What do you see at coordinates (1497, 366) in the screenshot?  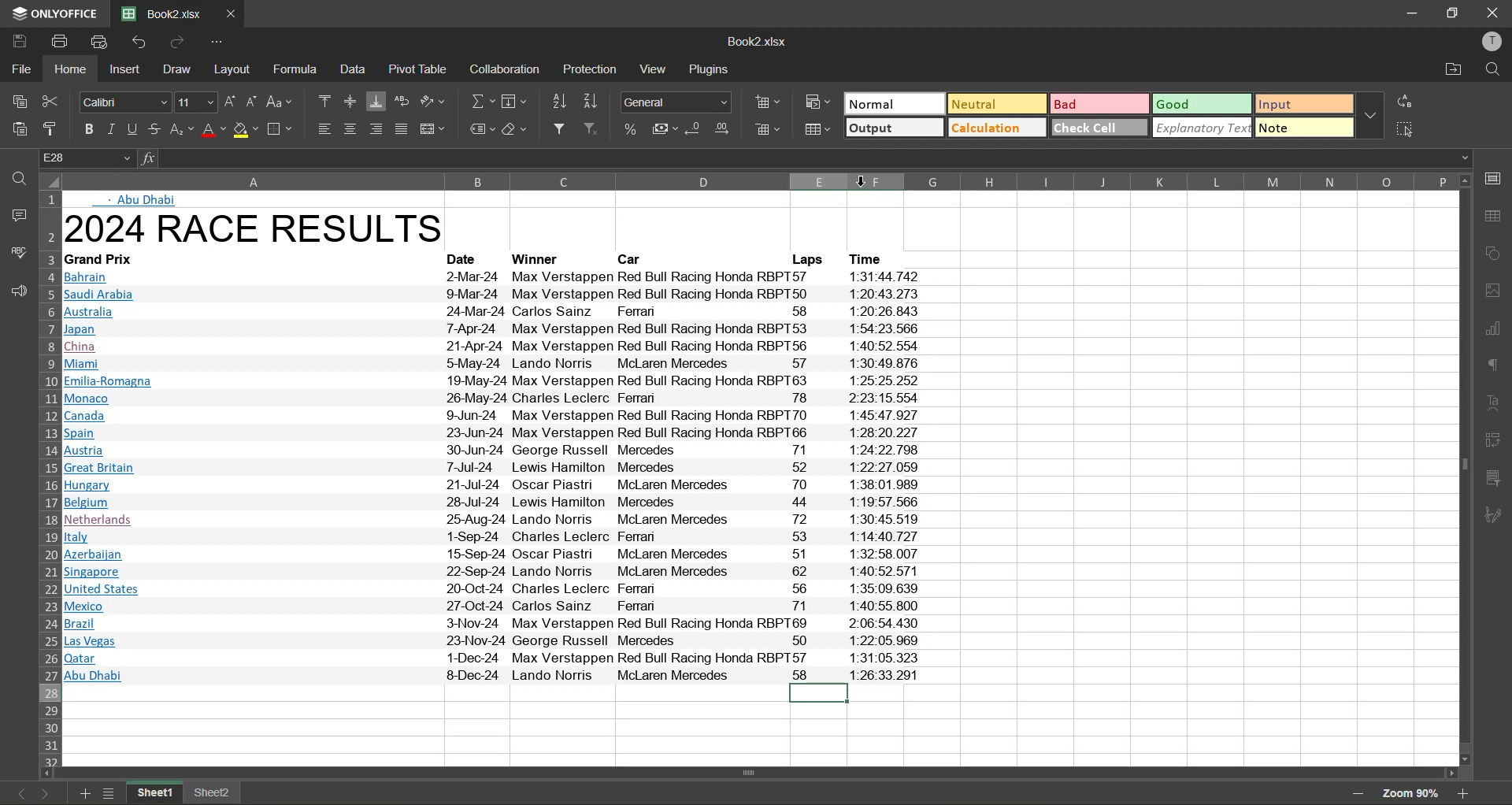 I see `paragraph` at bounding box center [1497, 366].